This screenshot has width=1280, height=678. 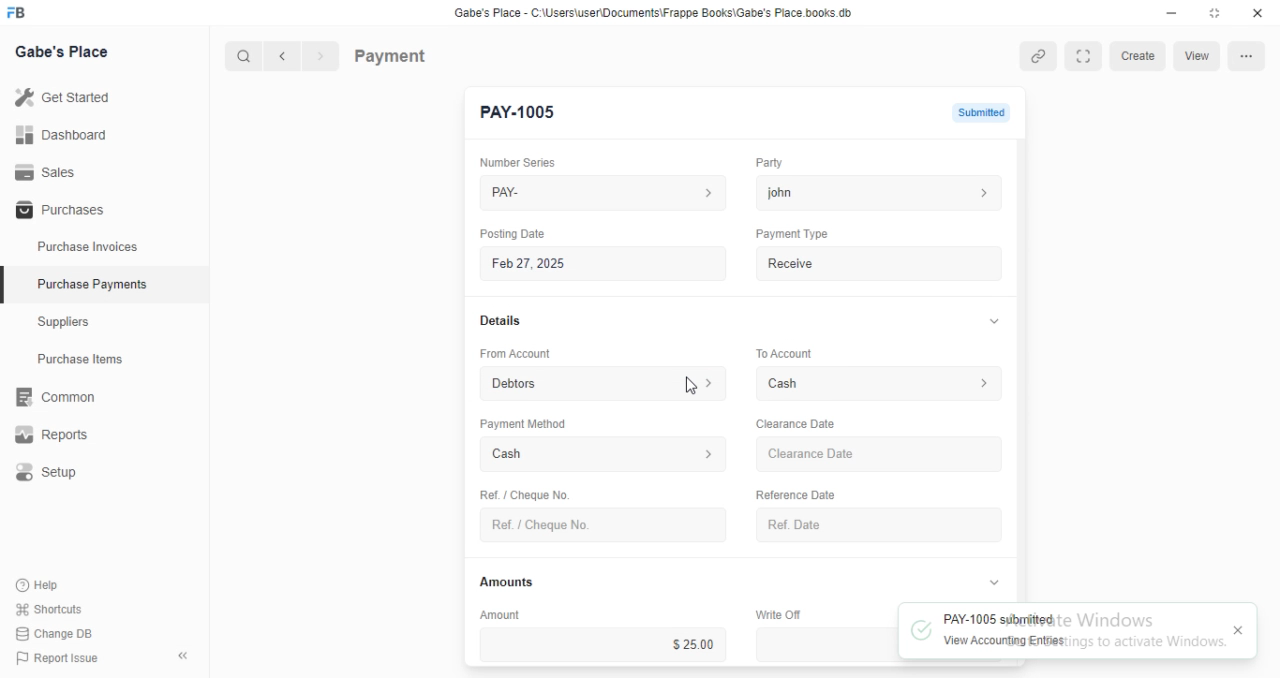 What do you see at coordinates (776, 614) in the screenshot?
I see `Write Off` at bounding box center [776, 614].